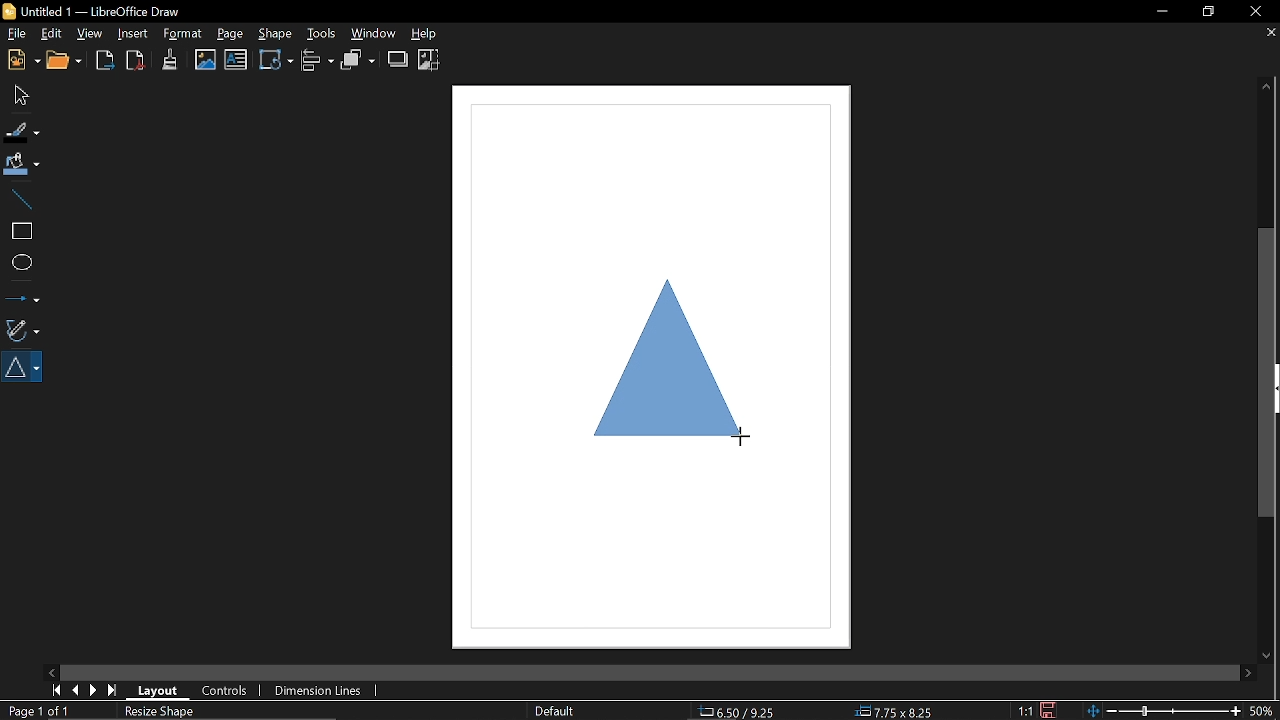 This screenshot has width=1280, height=720. I want to click on Align, so click(319, 61).